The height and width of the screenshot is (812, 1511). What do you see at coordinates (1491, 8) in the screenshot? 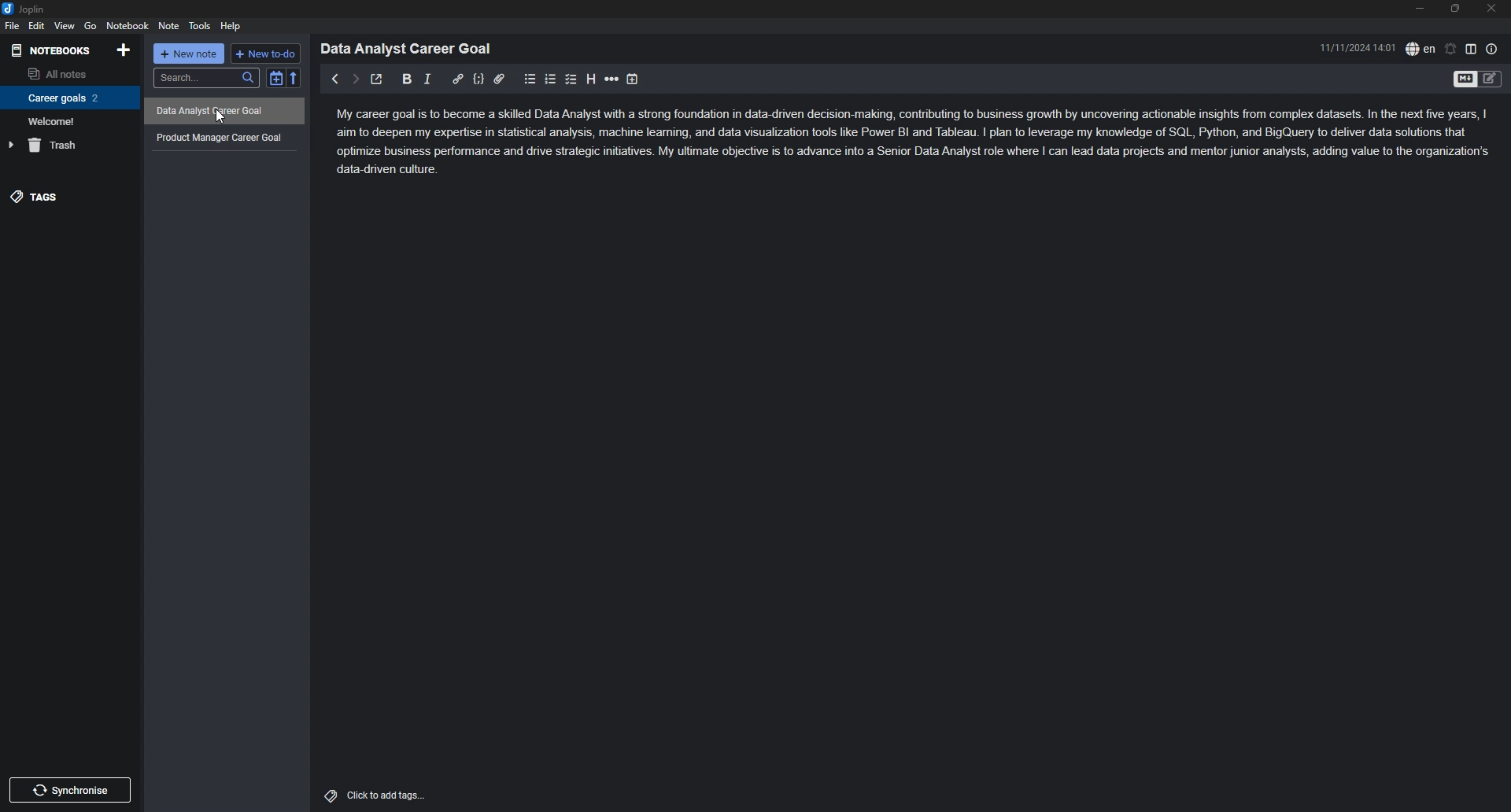
I see `close` at bounding box center [1491, 8].